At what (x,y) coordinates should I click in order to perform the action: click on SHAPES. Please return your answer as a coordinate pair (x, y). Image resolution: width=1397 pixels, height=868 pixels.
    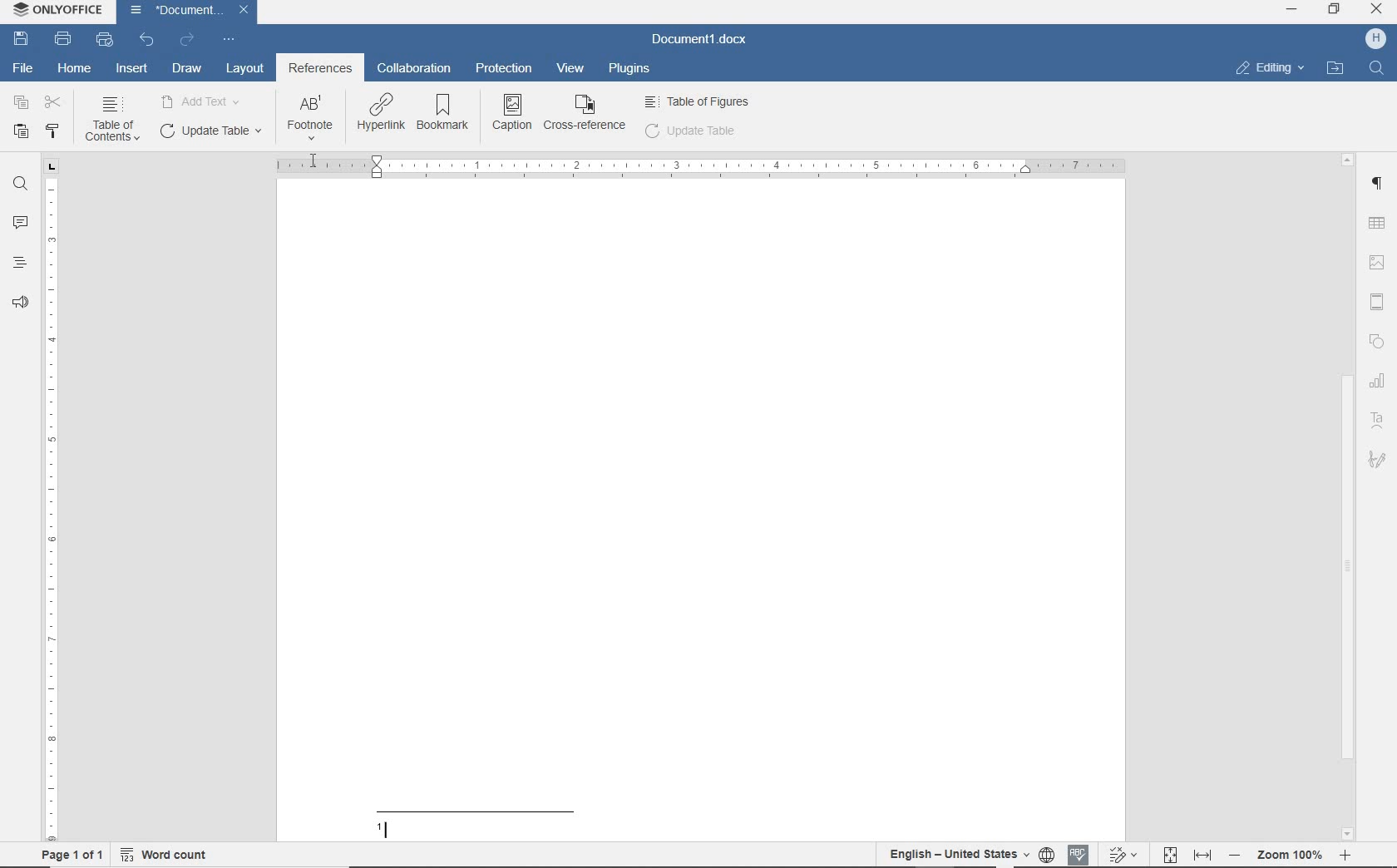
    Looking at the image, I should click on (1378, 341).